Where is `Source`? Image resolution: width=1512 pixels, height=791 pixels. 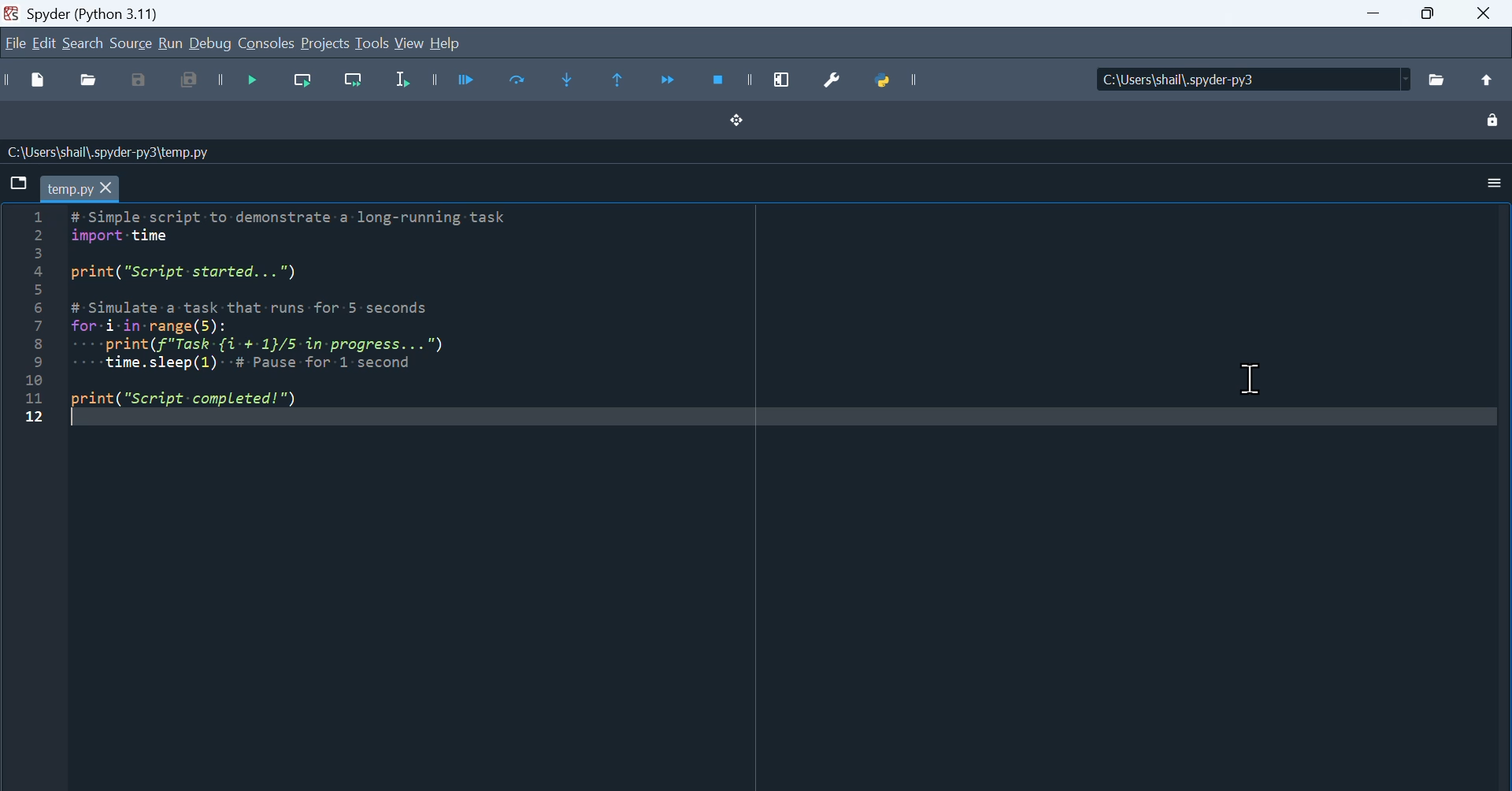
Source is located at coordinates (129, 42).